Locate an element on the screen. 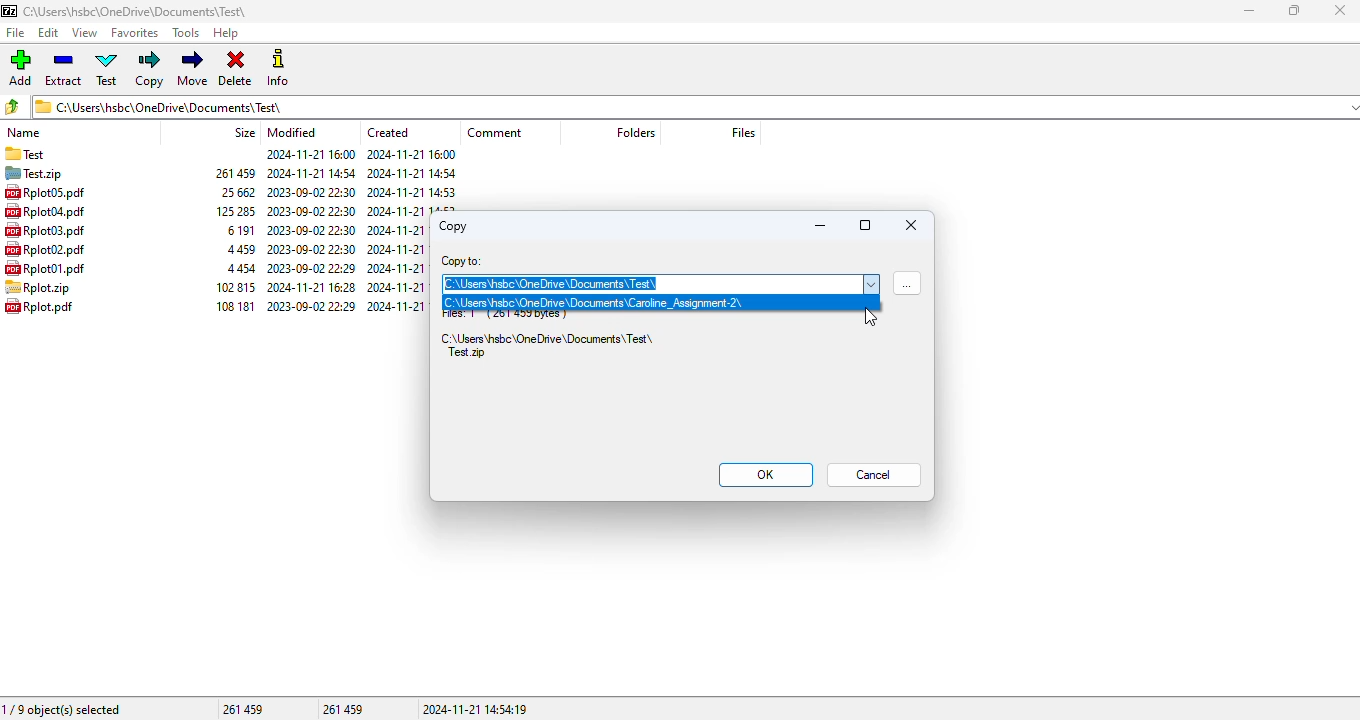 The height and width of the screenshot is (720, 1360). created date & time is located at coordinates (397, 230).